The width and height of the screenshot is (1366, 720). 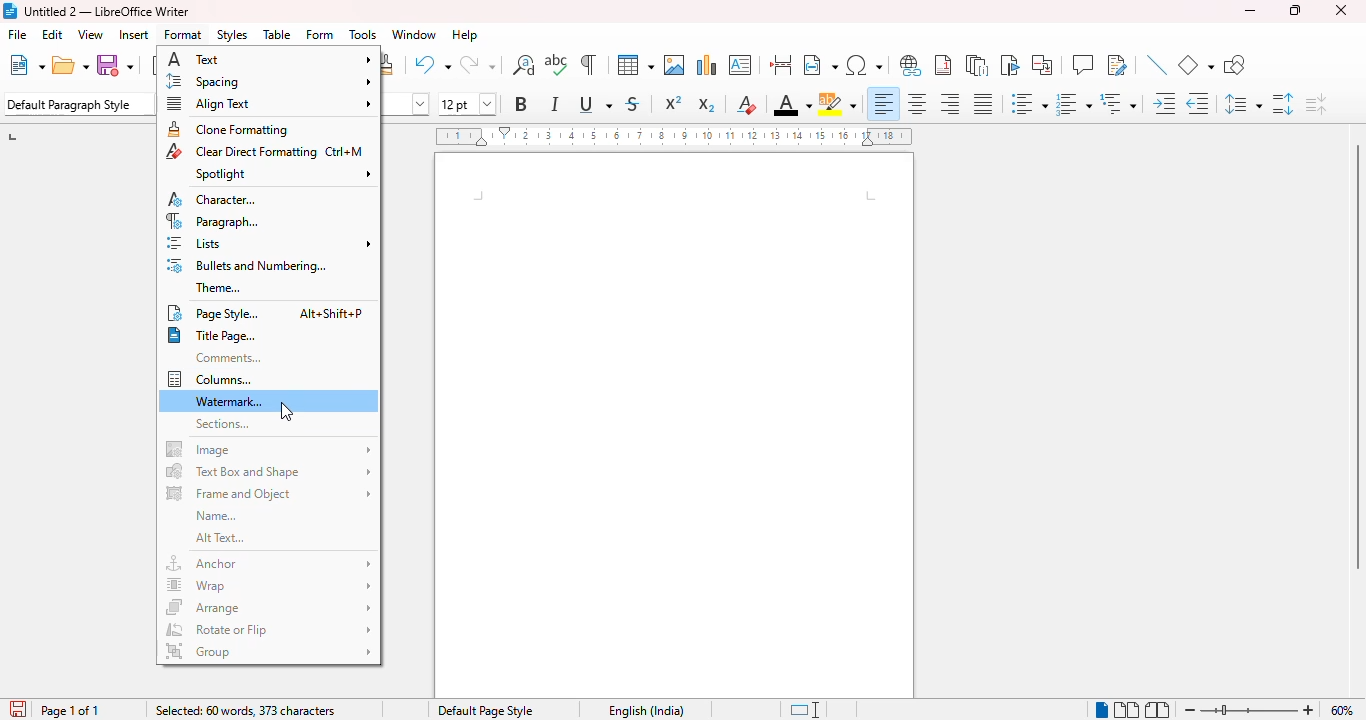 I want to click on open, so click(x=71, y=65).